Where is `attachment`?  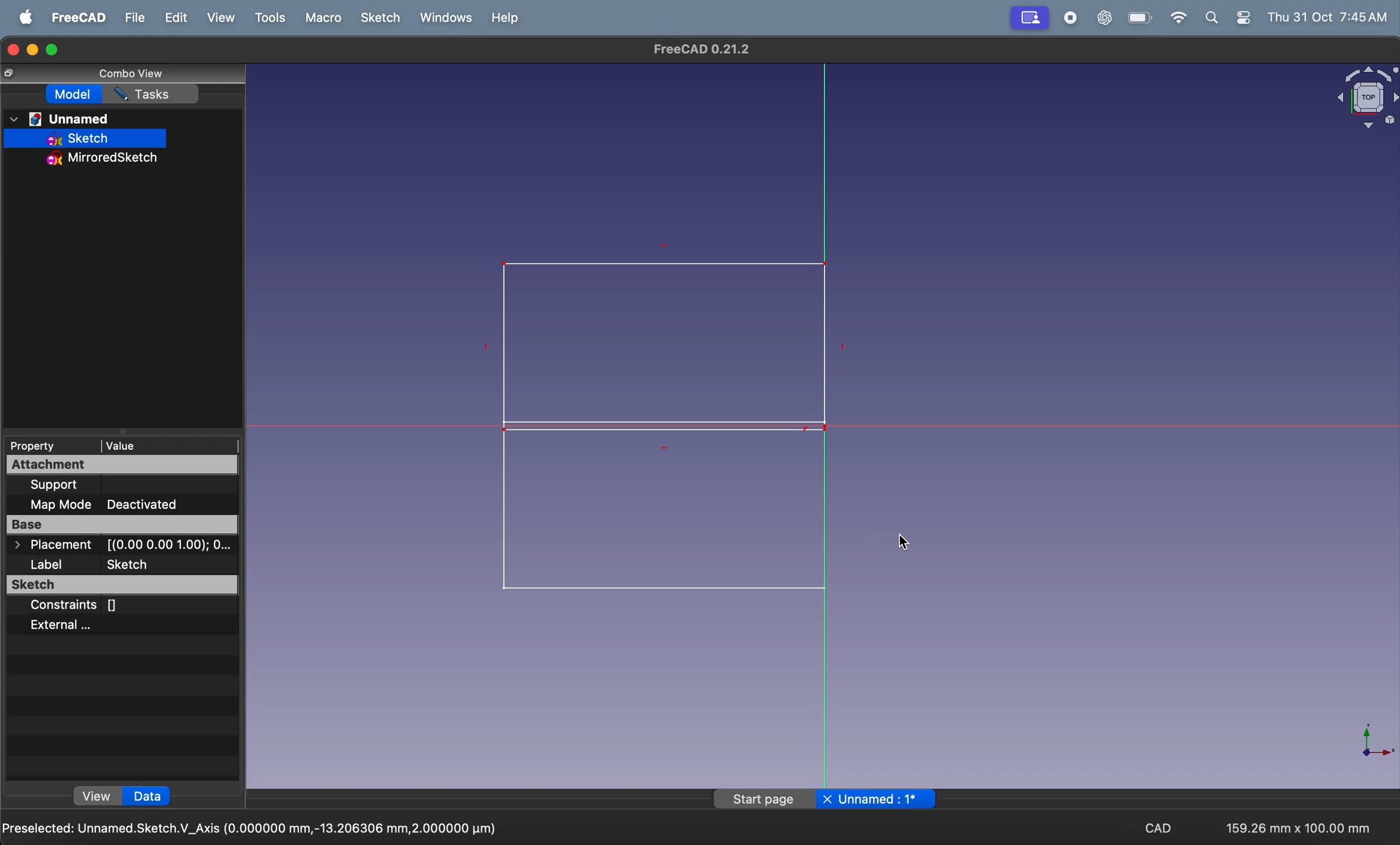
attachment is located at coordinates (123, 464).